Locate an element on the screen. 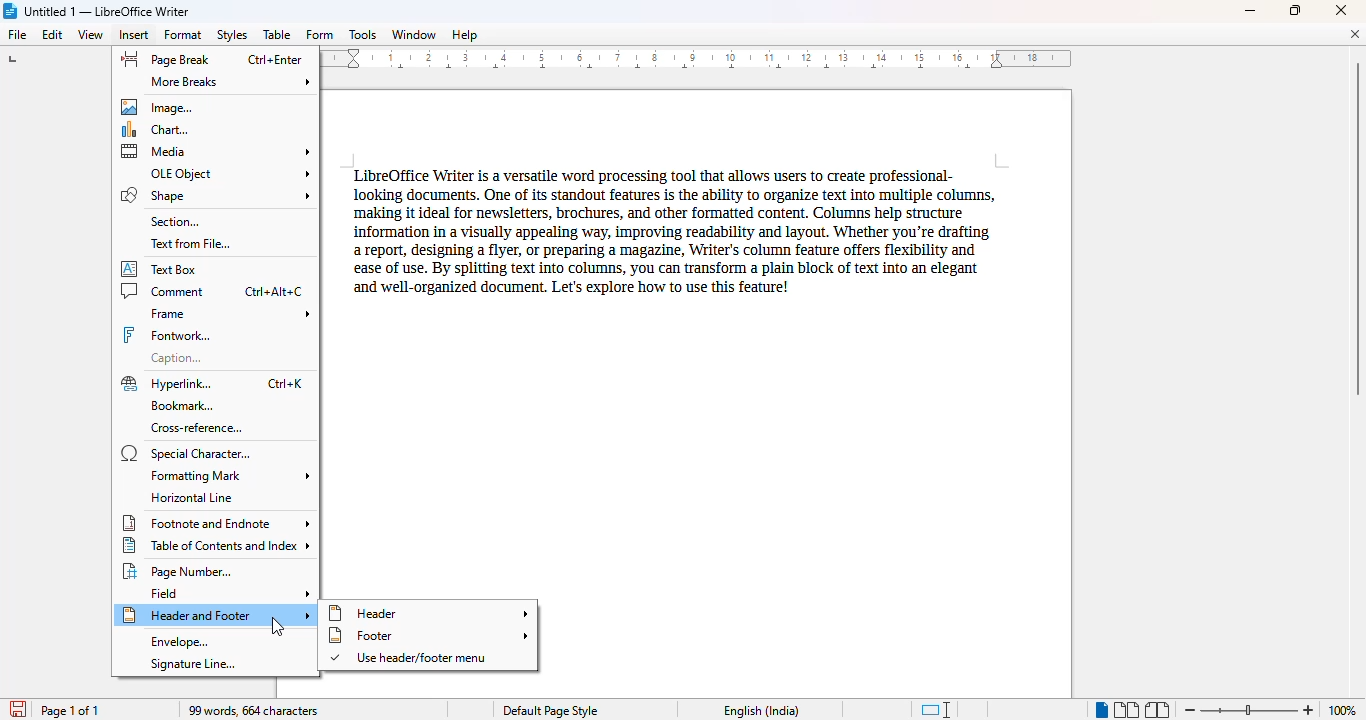 The width and height of the screenshot is (1366, 720). comment is located at coordinates (213, 290).